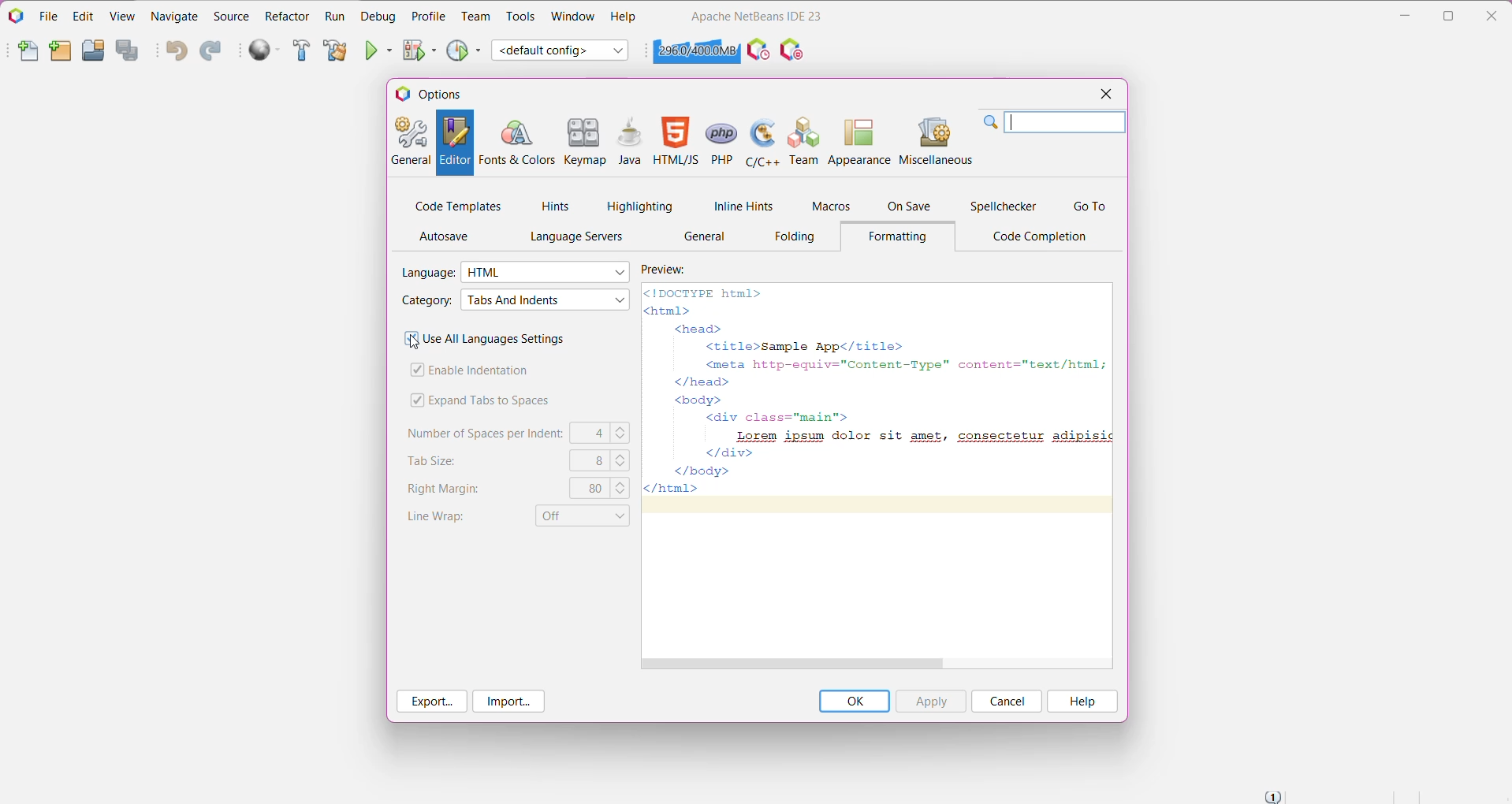 The width and height of the screenshot is (1512, 804). What do you see at coordinates (561, 50) in the screenshot?
I see `Set Project Configuration` at bounding box center [561, 50].